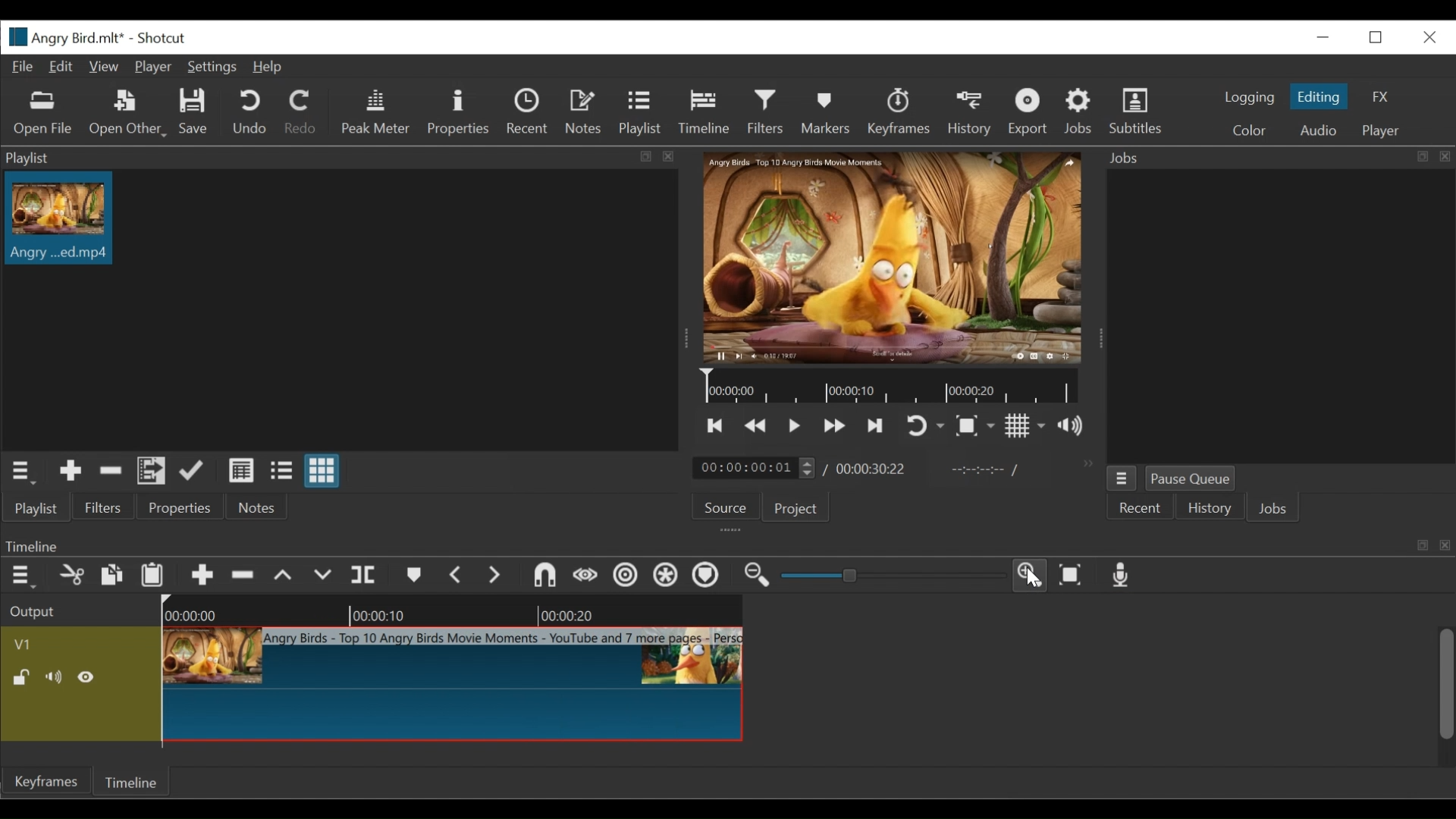 This screenshot has width=1456, height=819. I want to click on In point, so click(984, 469).